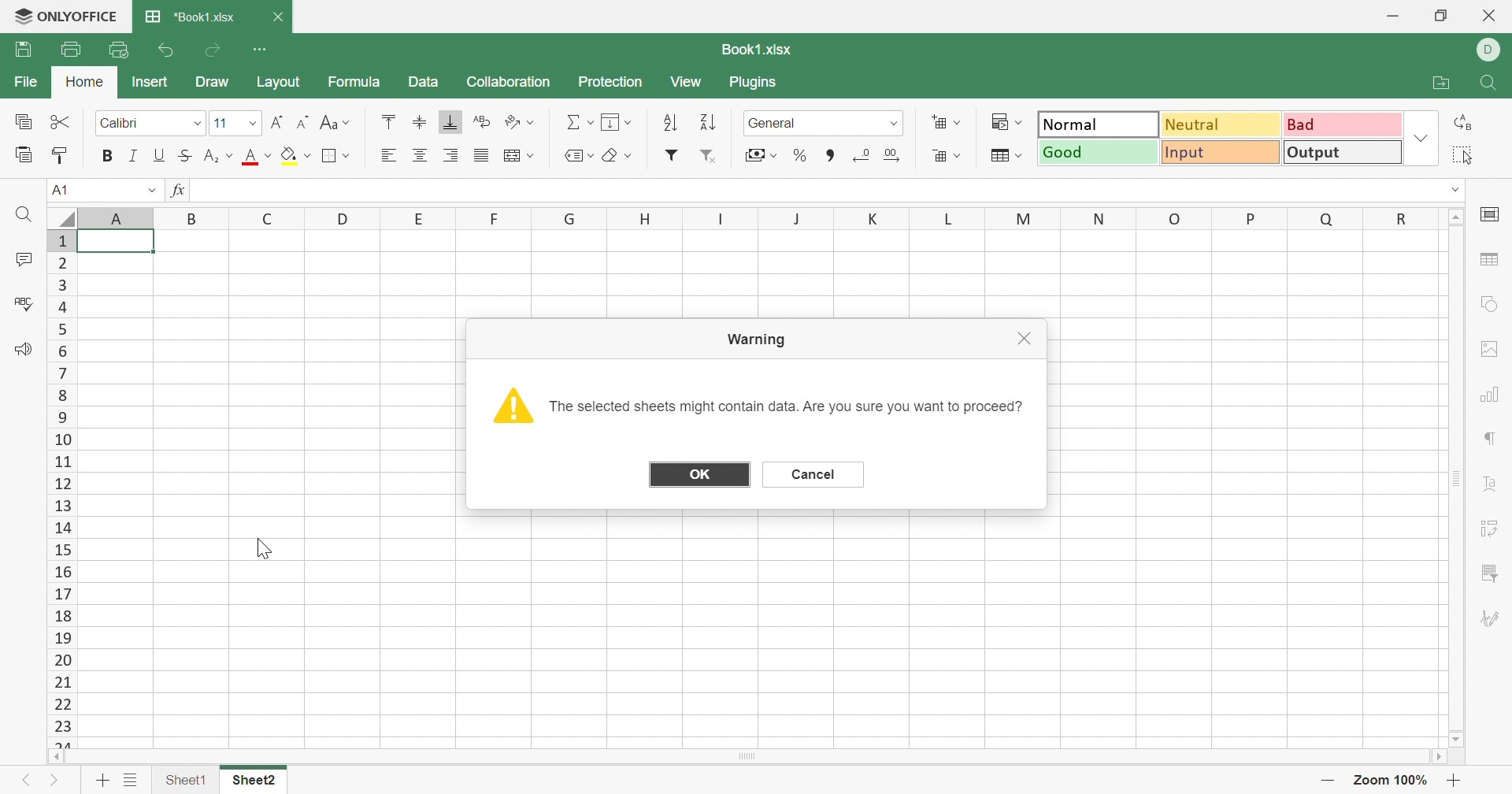  I want to click on OK, so click(697, 472).